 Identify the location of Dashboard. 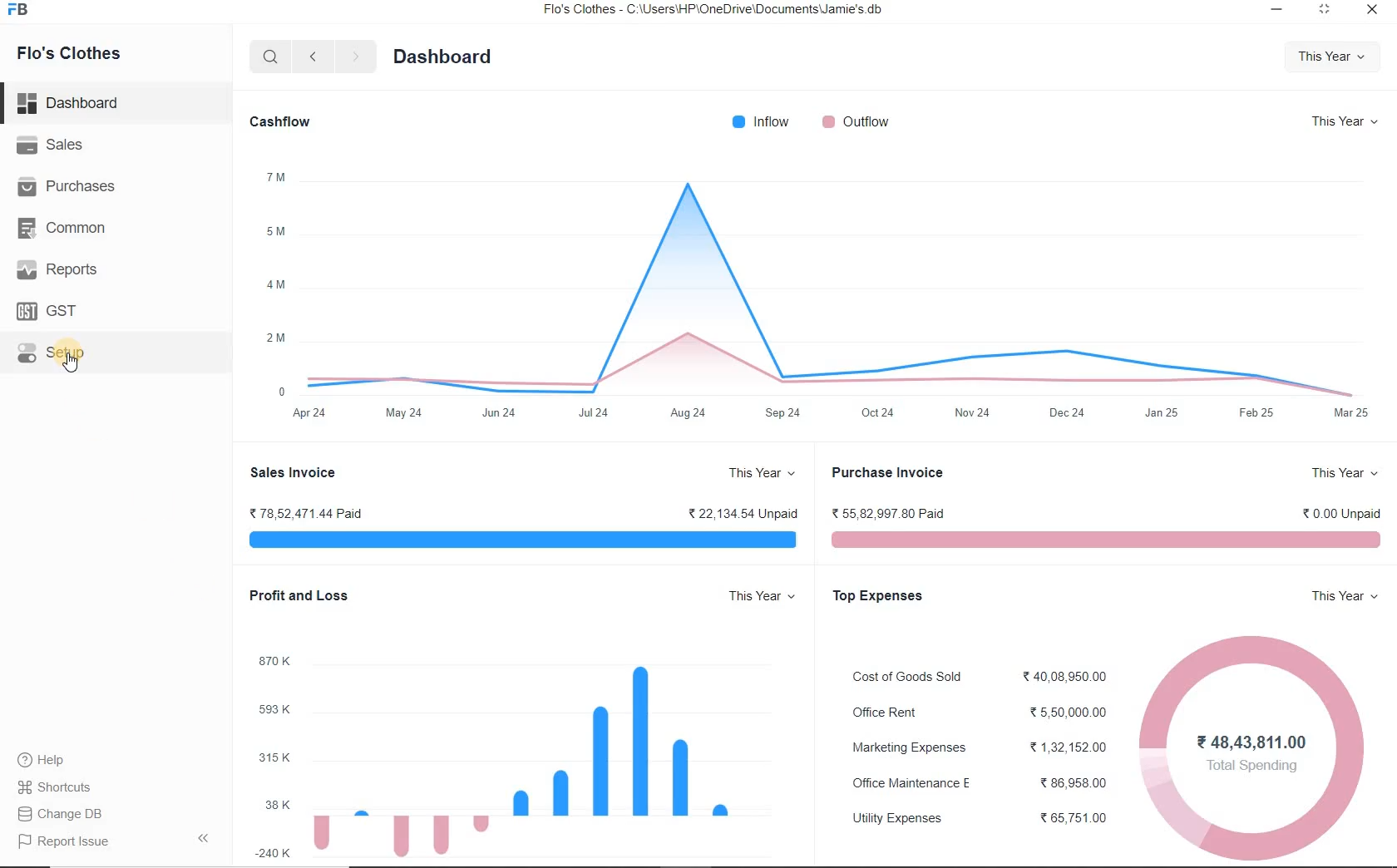
(445, 59).